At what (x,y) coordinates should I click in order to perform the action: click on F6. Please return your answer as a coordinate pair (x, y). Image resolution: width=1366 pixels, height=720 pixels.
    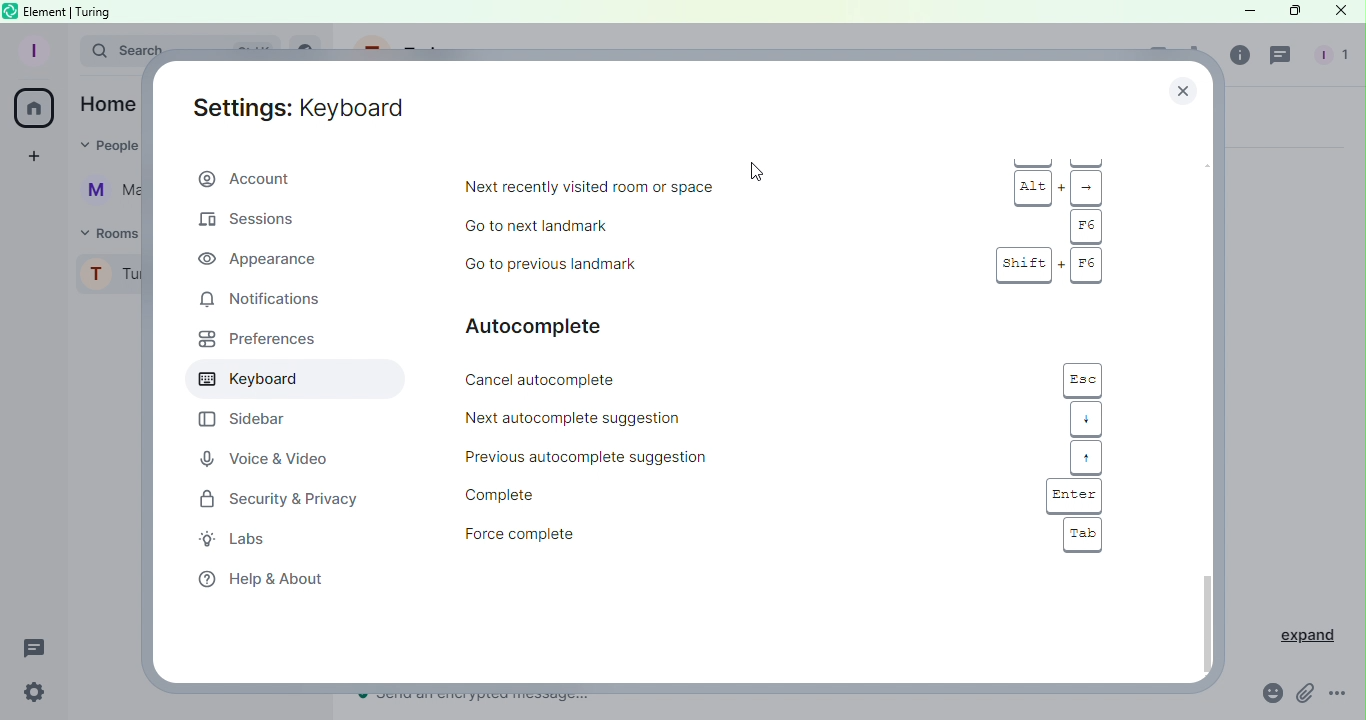
    Looking at the image, I should click on (1085, 226).